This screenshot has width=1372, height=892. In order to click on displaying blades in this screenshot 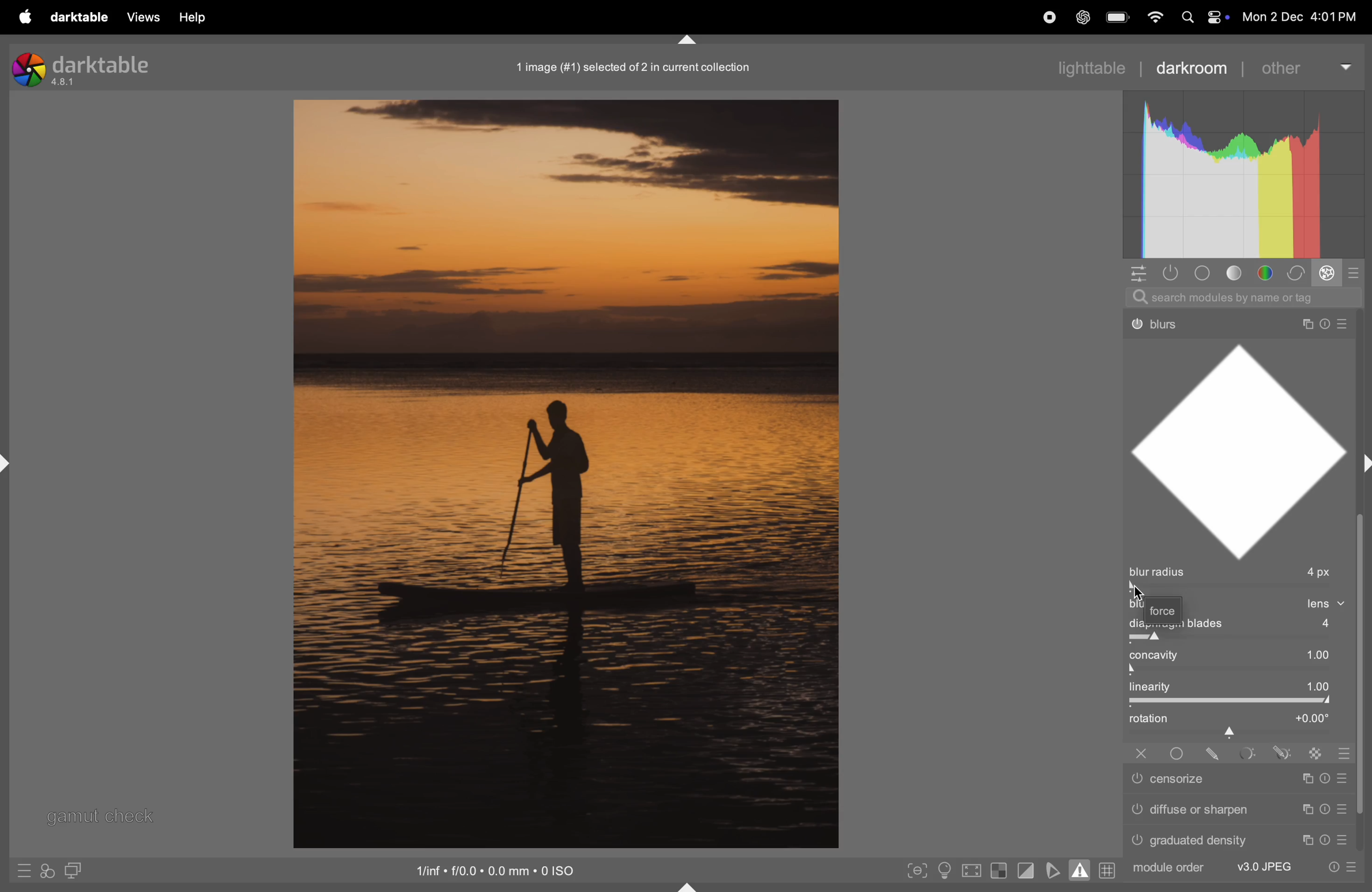, I will do `click(1249, 625)`.